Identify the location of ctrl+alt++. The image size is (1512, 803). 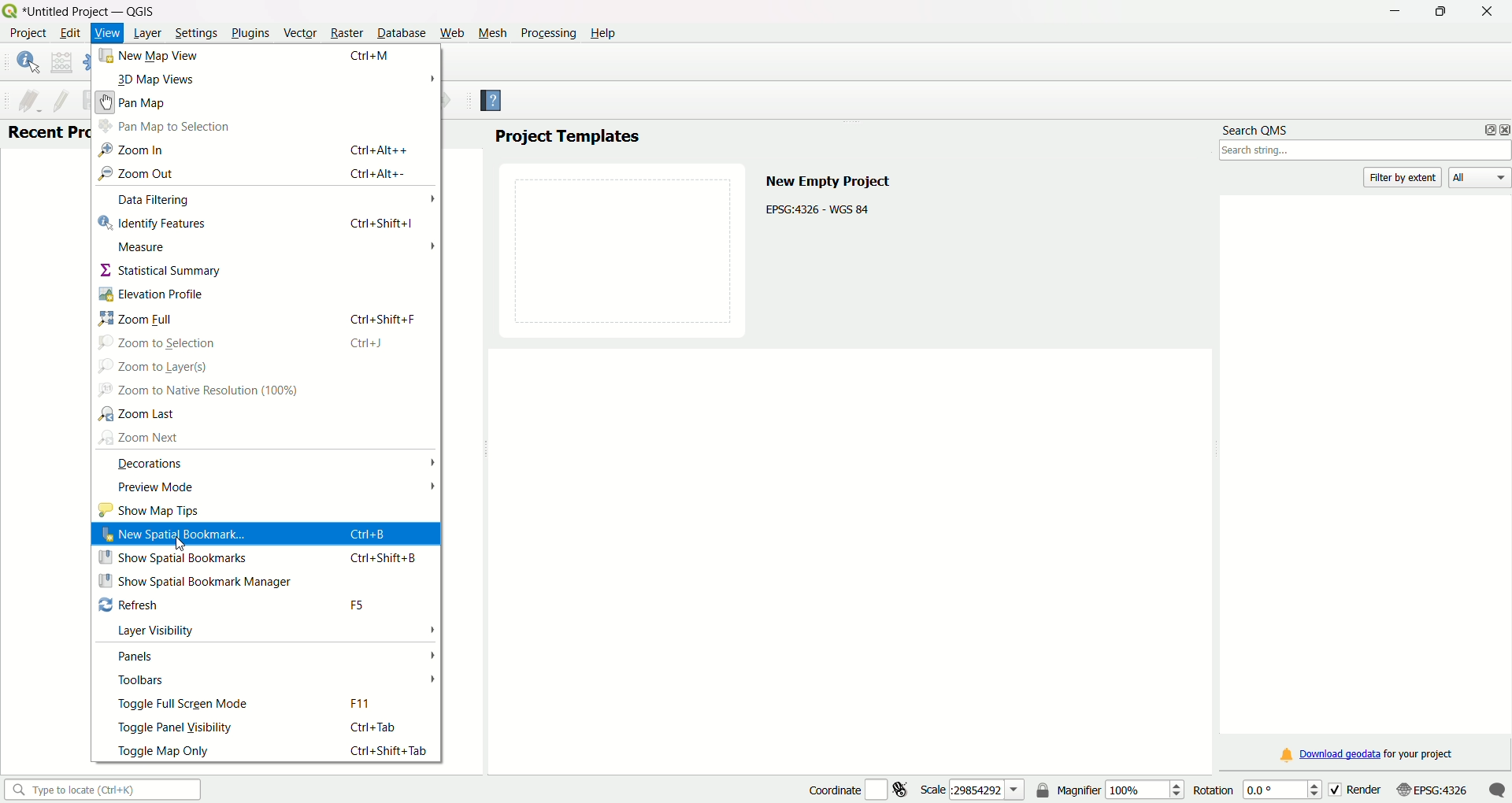
(377, 150).